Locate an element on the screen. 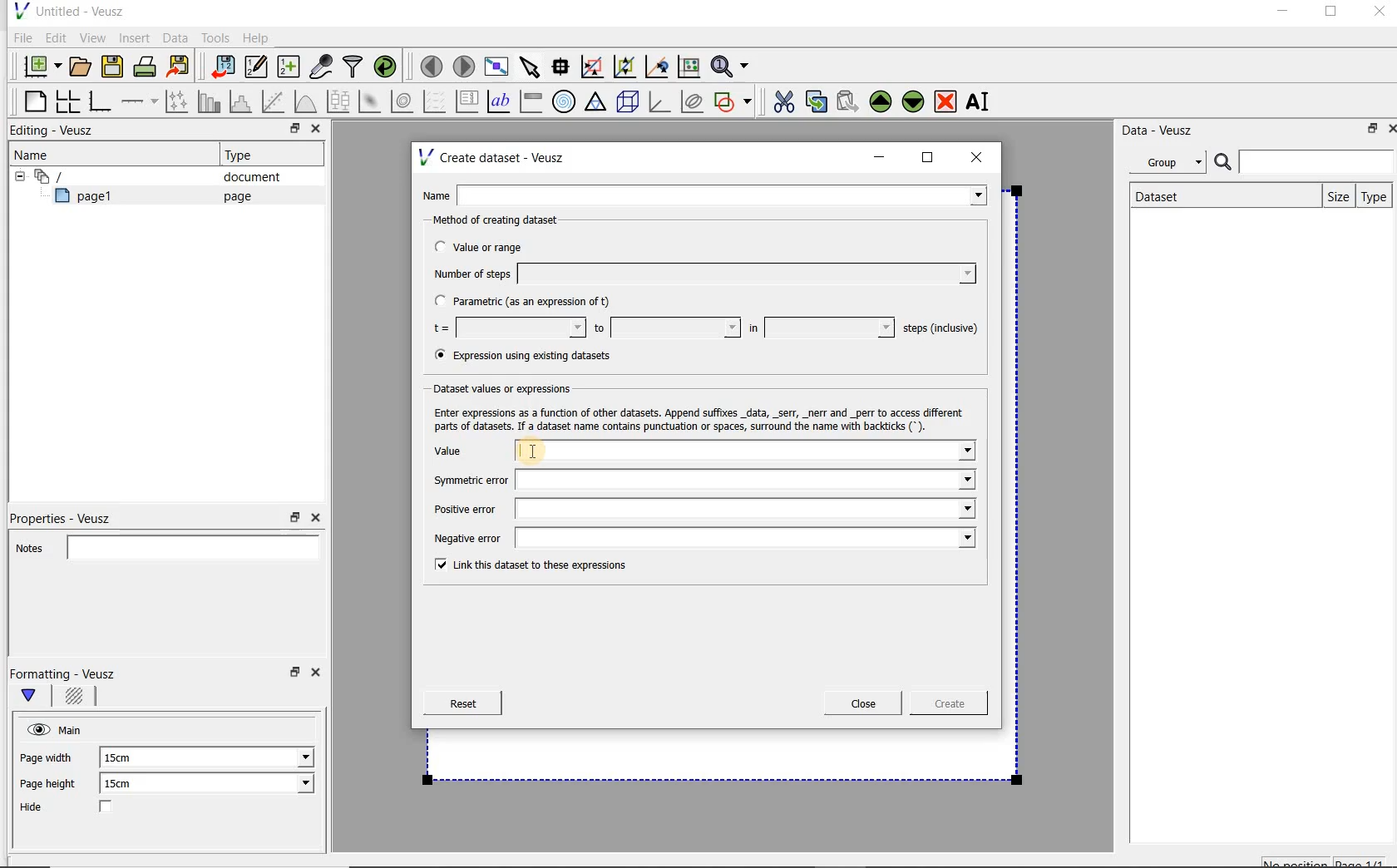 The height and width of the screenshot is (868, 1397). remove the selected widget is located at coordinates (946, 101).